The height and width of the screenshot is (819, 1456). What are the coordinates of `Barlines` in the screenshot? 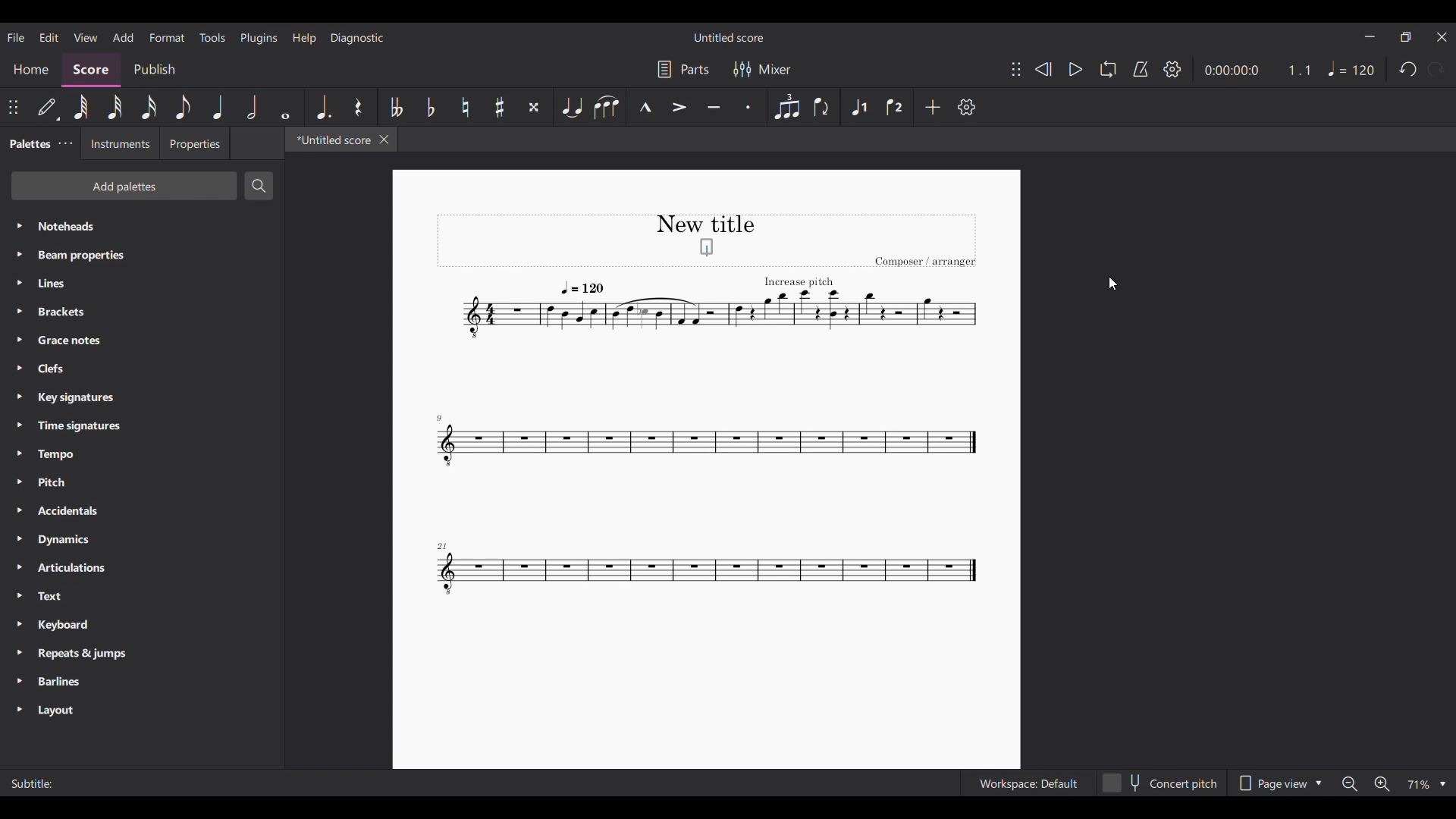 It's located at (142, 682).